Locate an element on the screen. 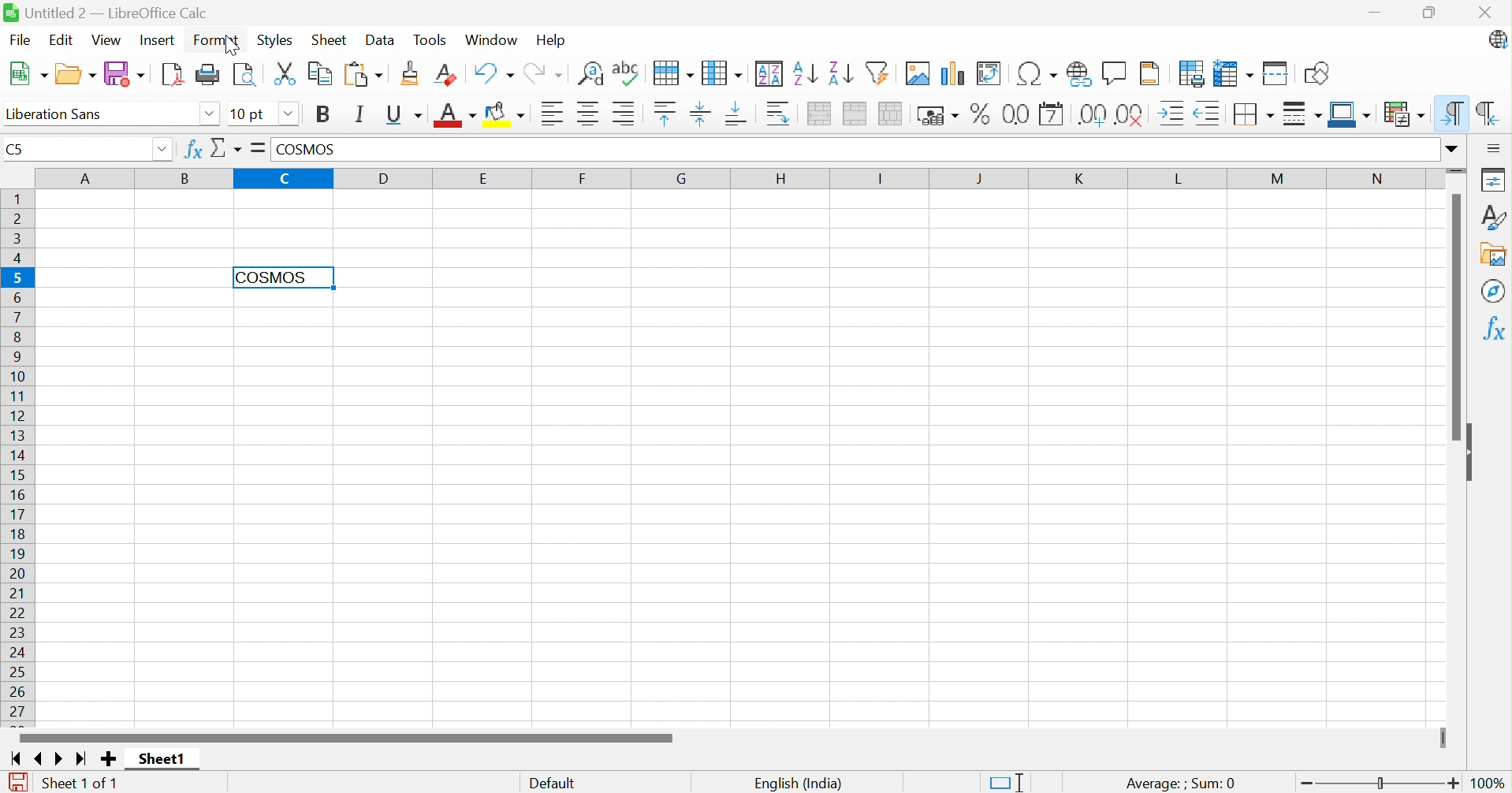 The height and width of the screenshot is (793, 1512). Gallery is located at coordinates (1495, 255).